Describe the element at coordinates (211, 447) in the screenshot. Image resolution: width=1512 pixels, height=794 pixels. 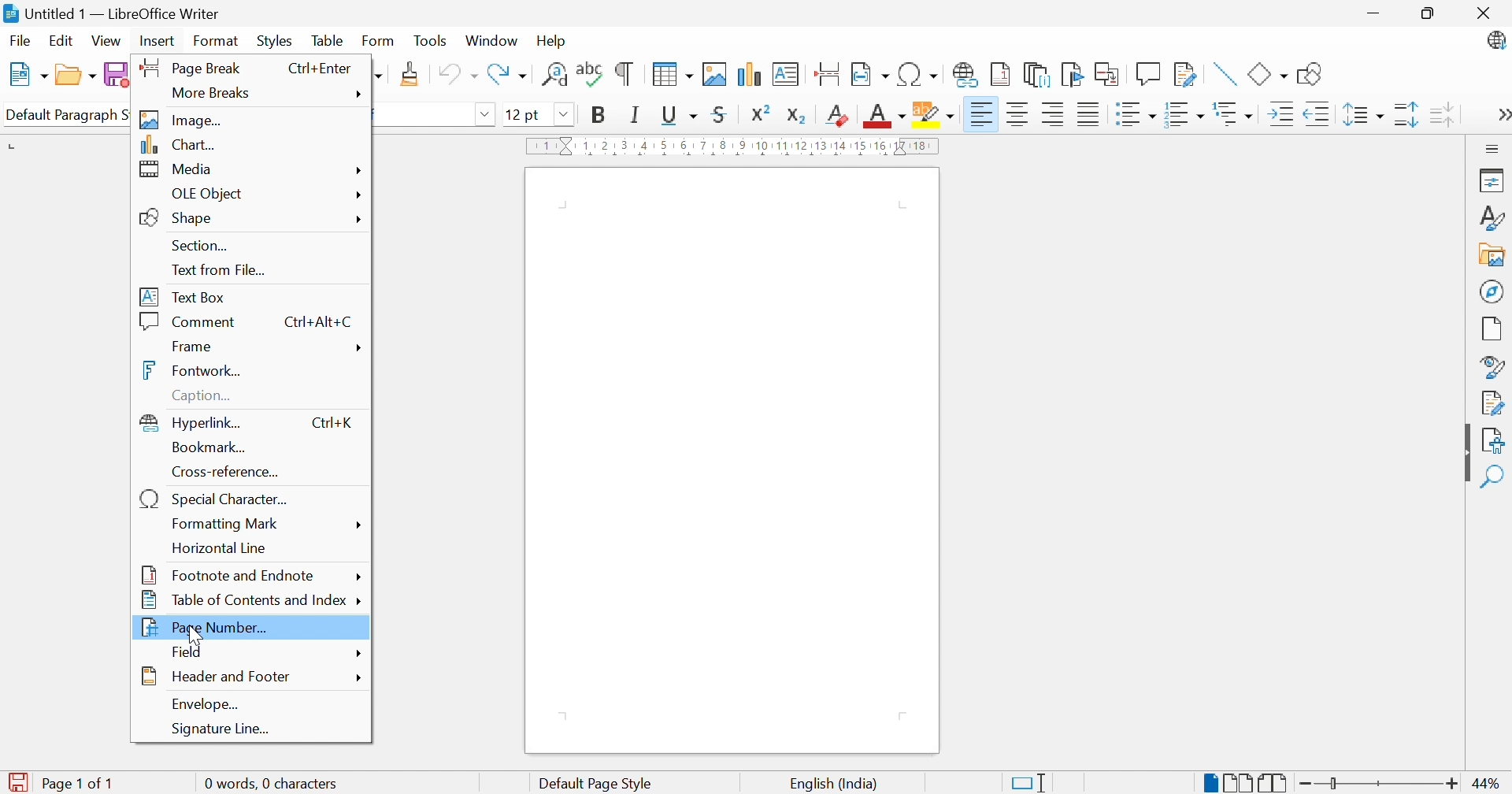
I see `Bookmark...` at that location.